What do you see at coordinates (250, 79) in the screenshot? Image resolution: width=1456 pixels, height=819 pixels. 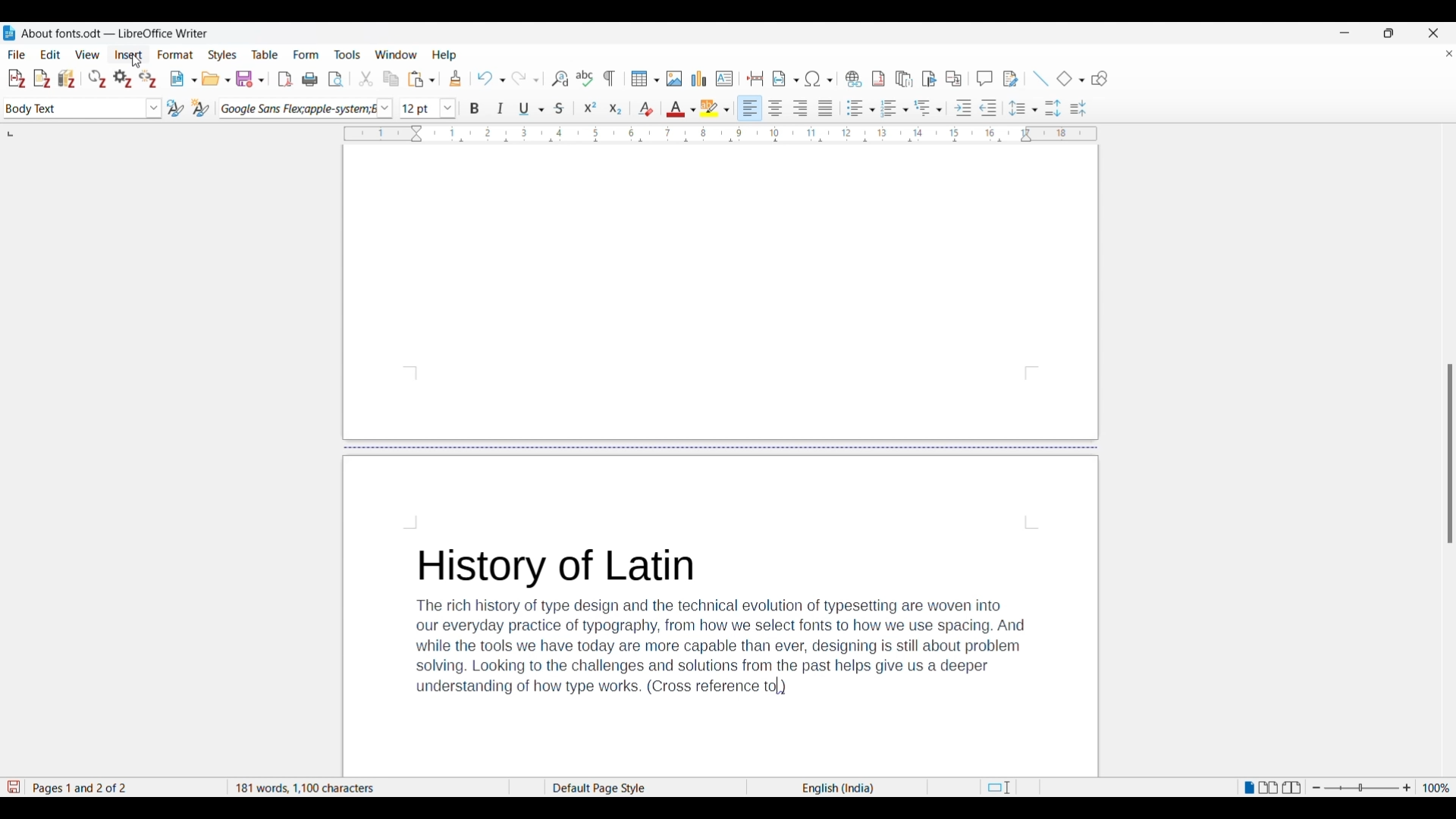 I see `Save options` at bounding box center [250, 79].